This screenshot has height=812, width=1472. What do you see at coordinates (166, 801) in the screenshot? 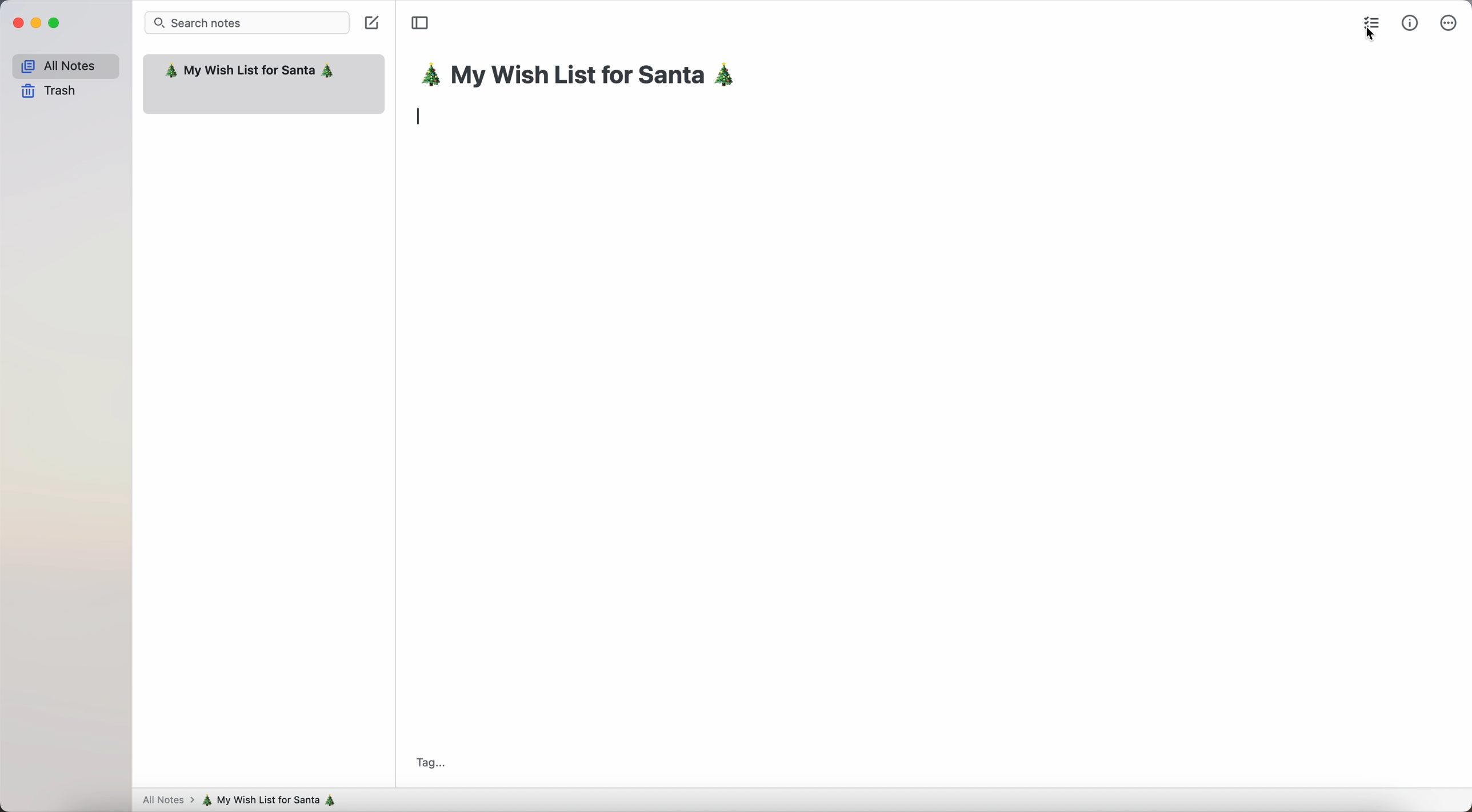
I see `all notes` at bounding box center [166, 801].